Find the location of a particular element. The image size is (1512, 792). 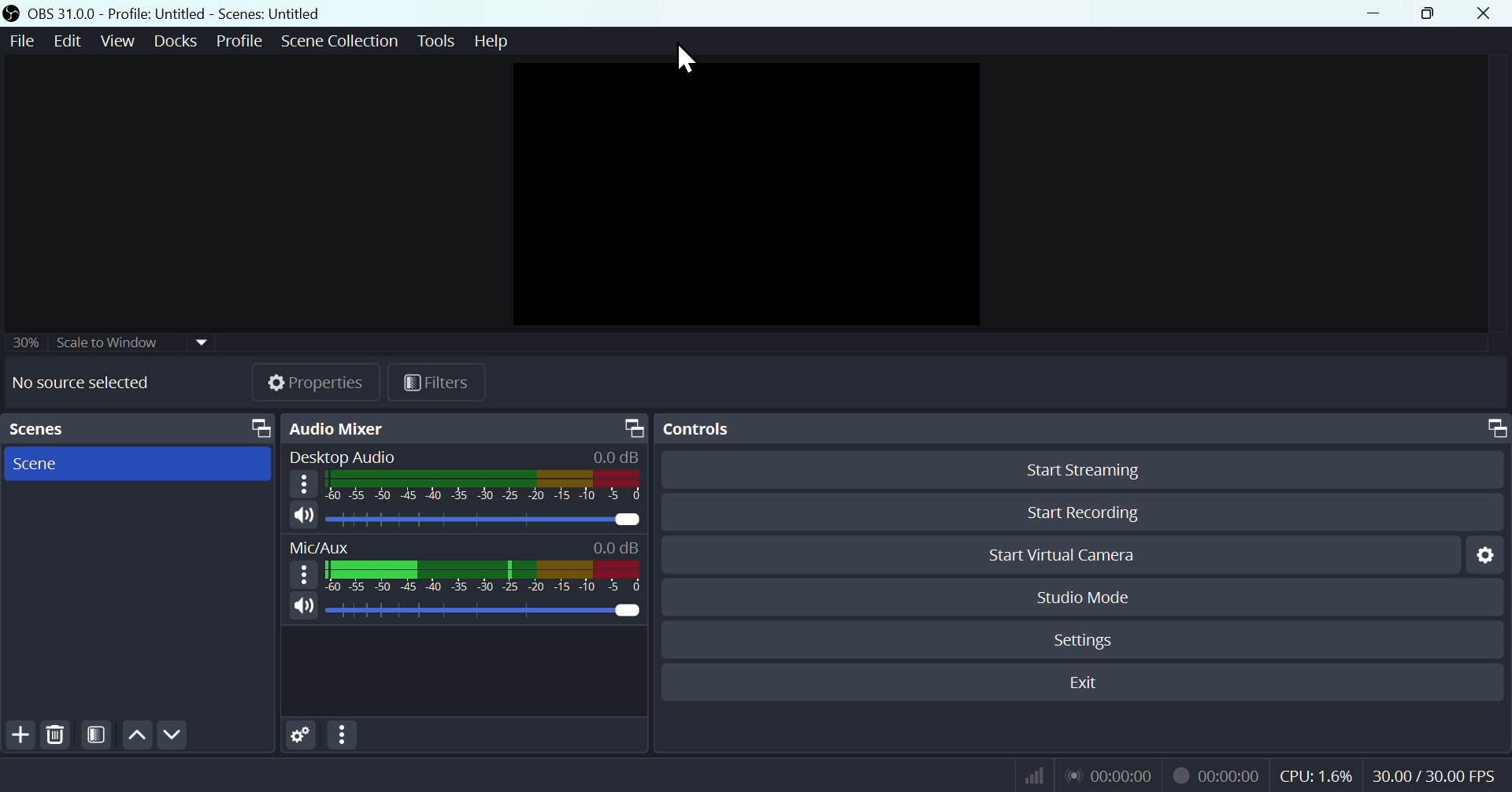

Desktop Audio bar is located at coordinates (481, 483).